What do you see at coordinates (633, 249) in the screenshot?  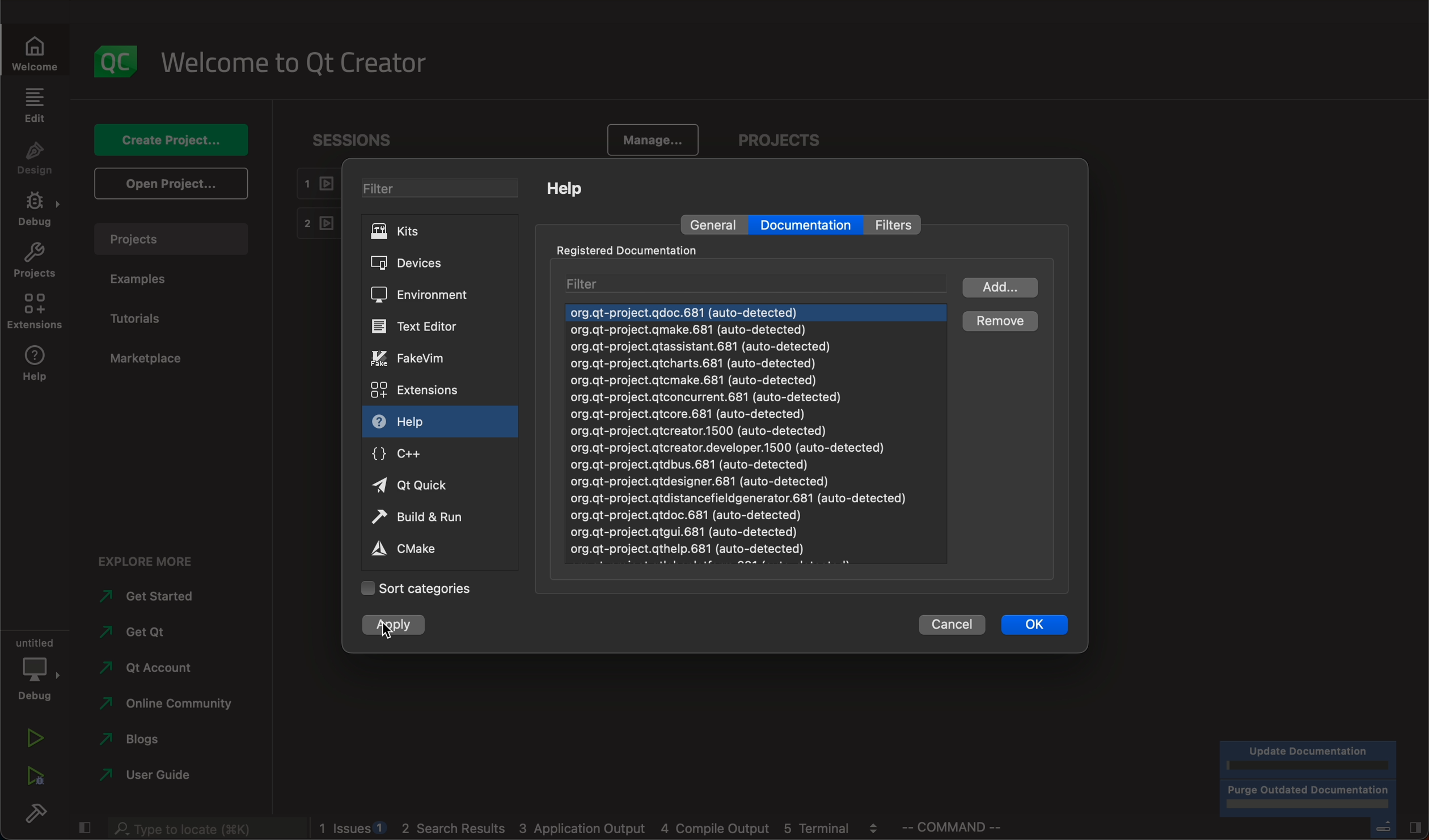 I see `registered` at bounding box center [633, 249].